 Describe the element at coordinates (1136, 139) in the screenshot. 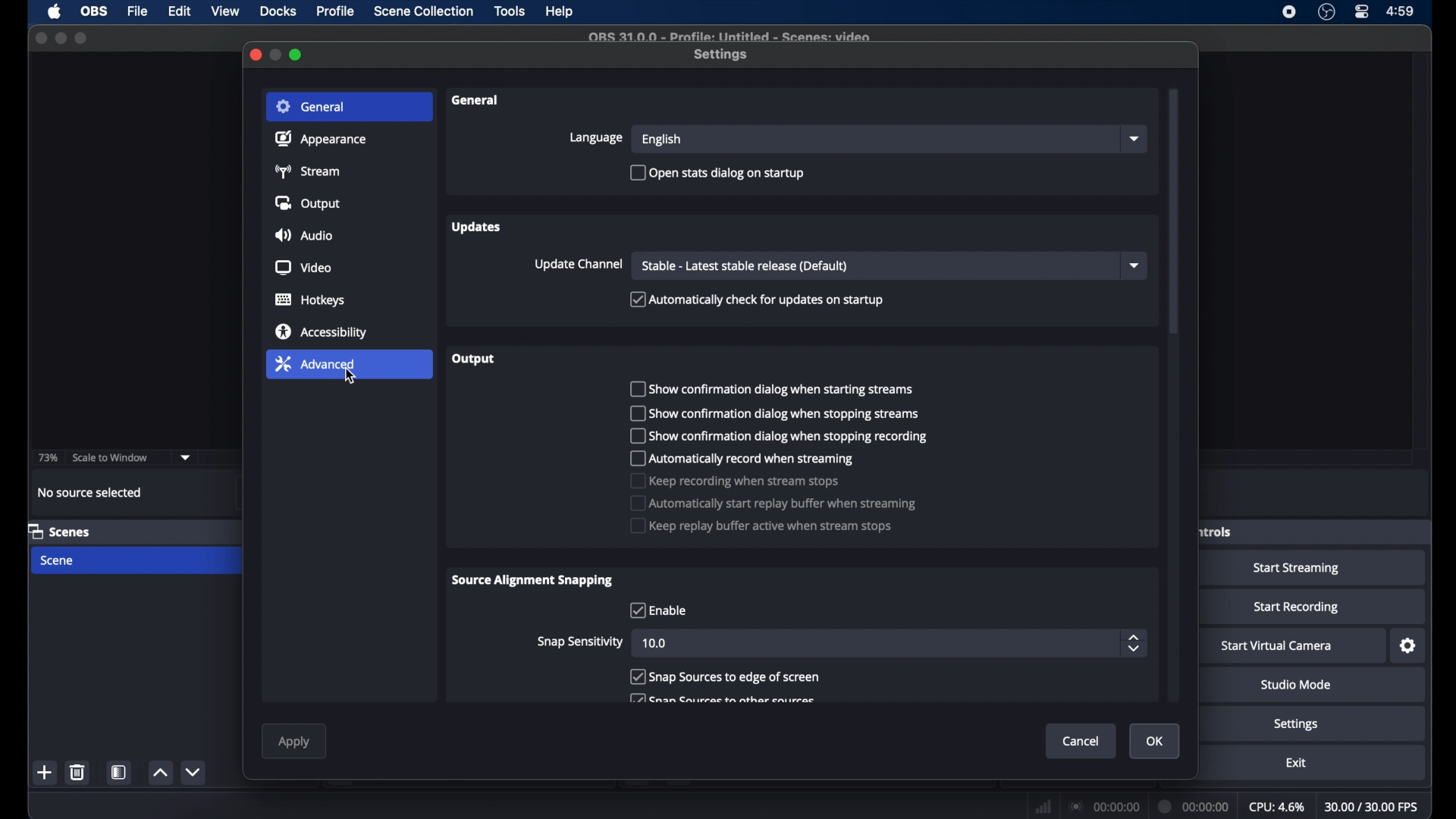

I see `dropdown` at that location.